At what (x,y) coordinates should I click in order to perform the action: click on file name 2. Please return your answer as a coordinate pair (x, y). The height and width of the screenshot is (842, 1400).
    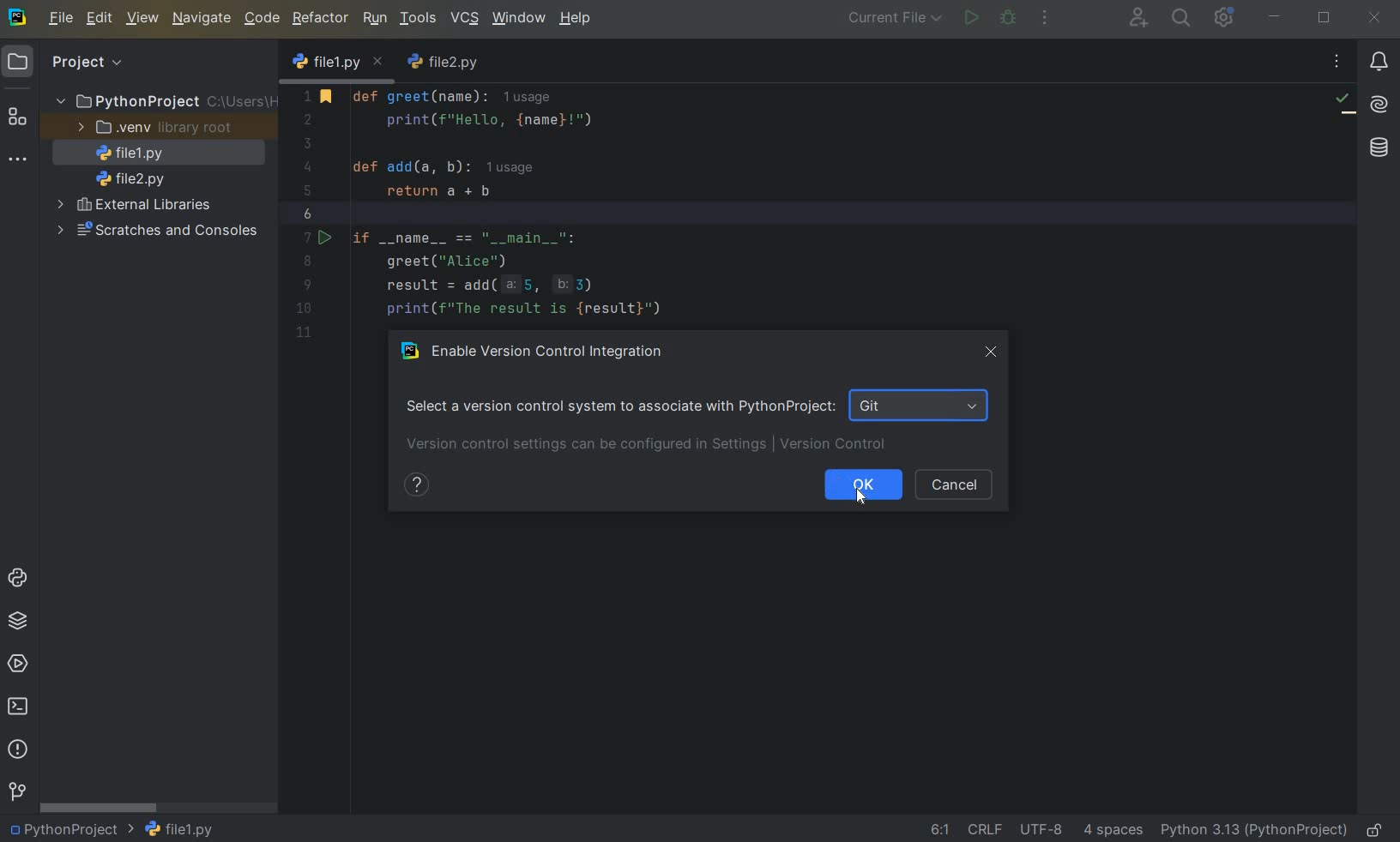
    Looking at the image, I should click on (130, 178).